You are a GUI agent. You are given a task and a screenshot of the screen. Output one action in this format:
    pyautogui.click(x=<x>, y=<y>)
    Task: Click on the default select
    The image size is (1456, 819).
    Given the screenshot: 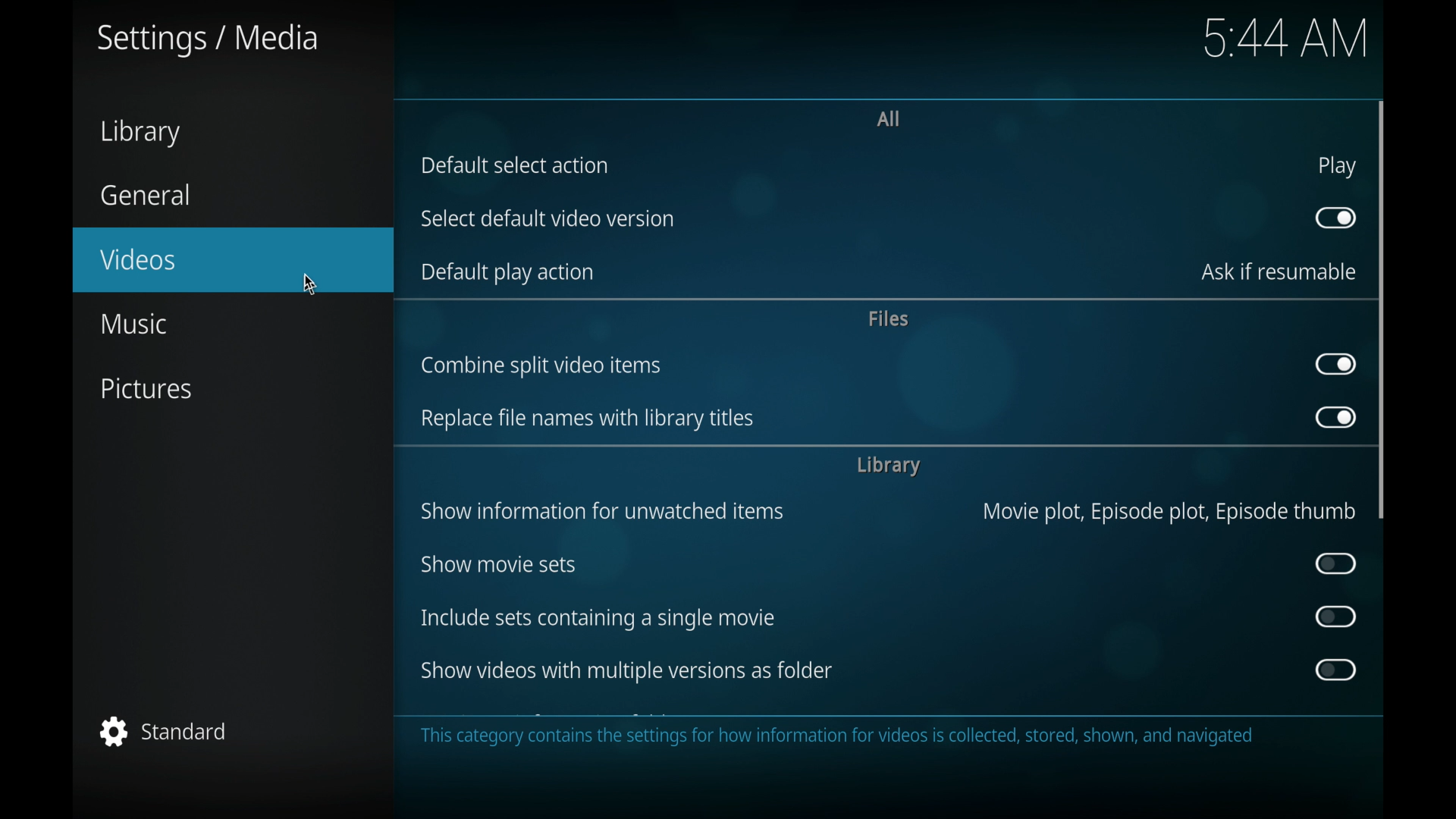 What is the action you would take?
    pyautogui.click(x=514, y=165)
    